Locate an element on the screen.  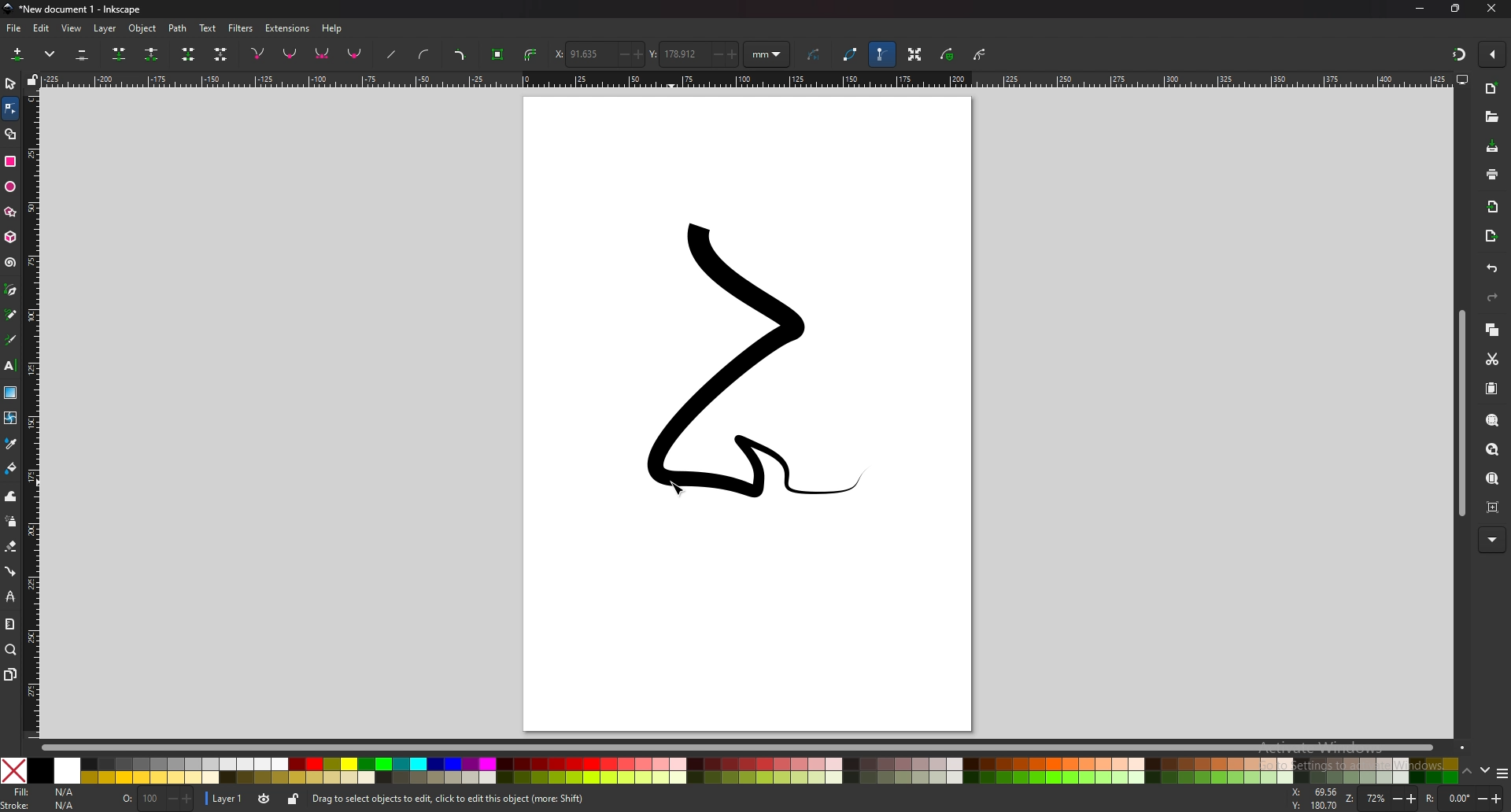
layer is located at coordinates (105, 28).